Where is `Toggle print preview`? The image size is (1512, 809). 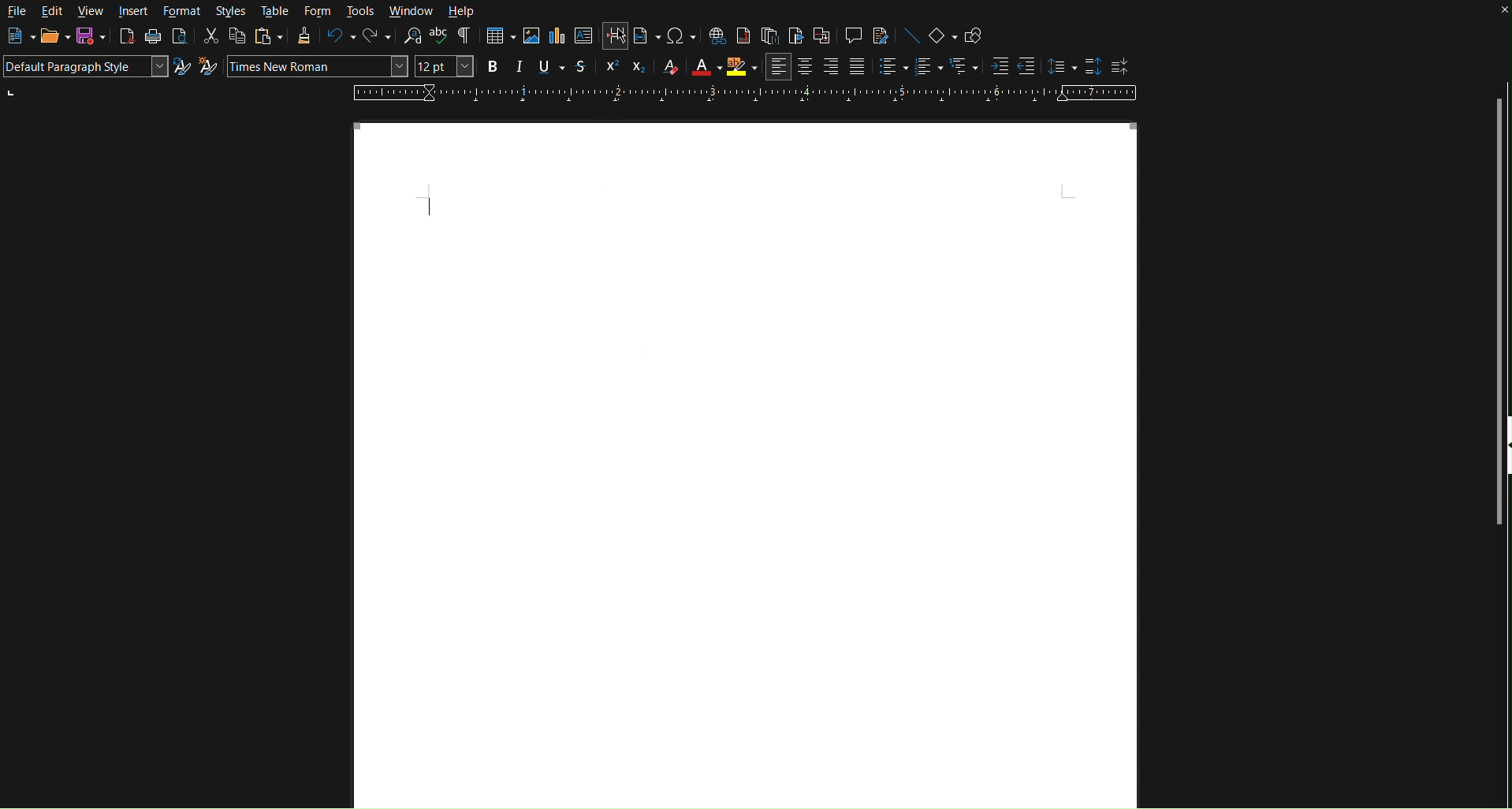 Toggle print preview is located at coordinates (180, 39).